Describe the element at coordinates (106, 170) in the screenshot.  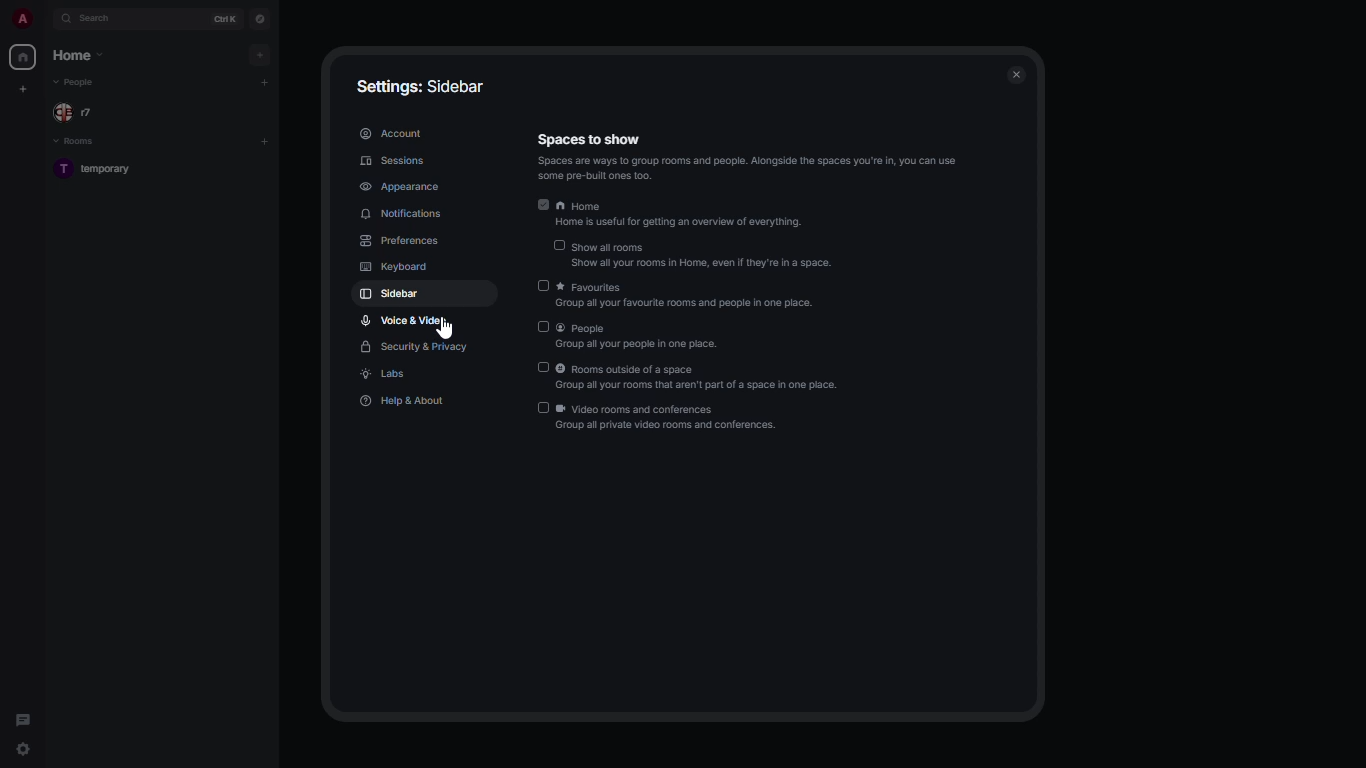
I see `room` at that location.